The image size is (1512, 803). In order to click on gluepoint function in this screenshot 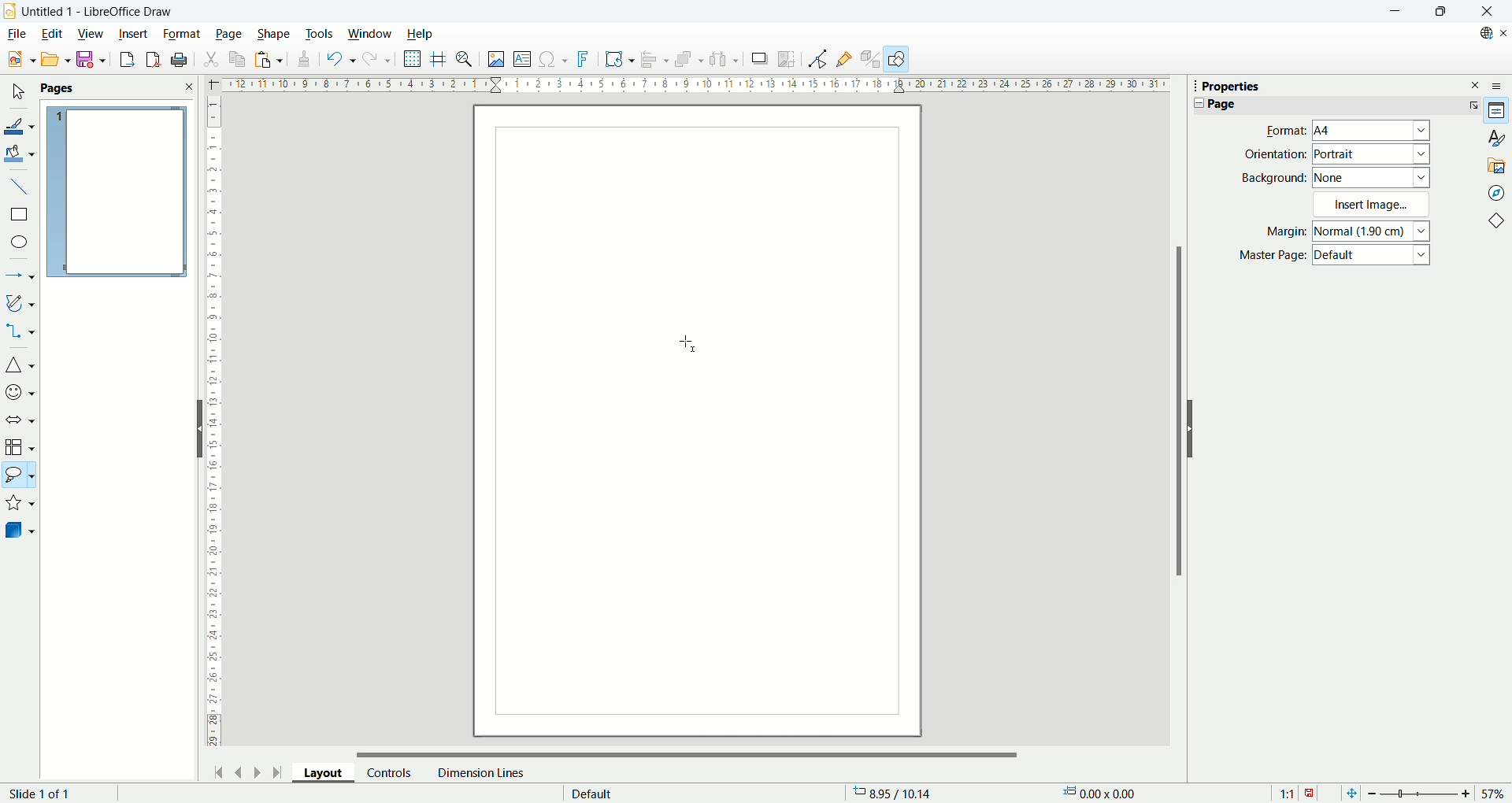, I will do `click(845, 58)`.